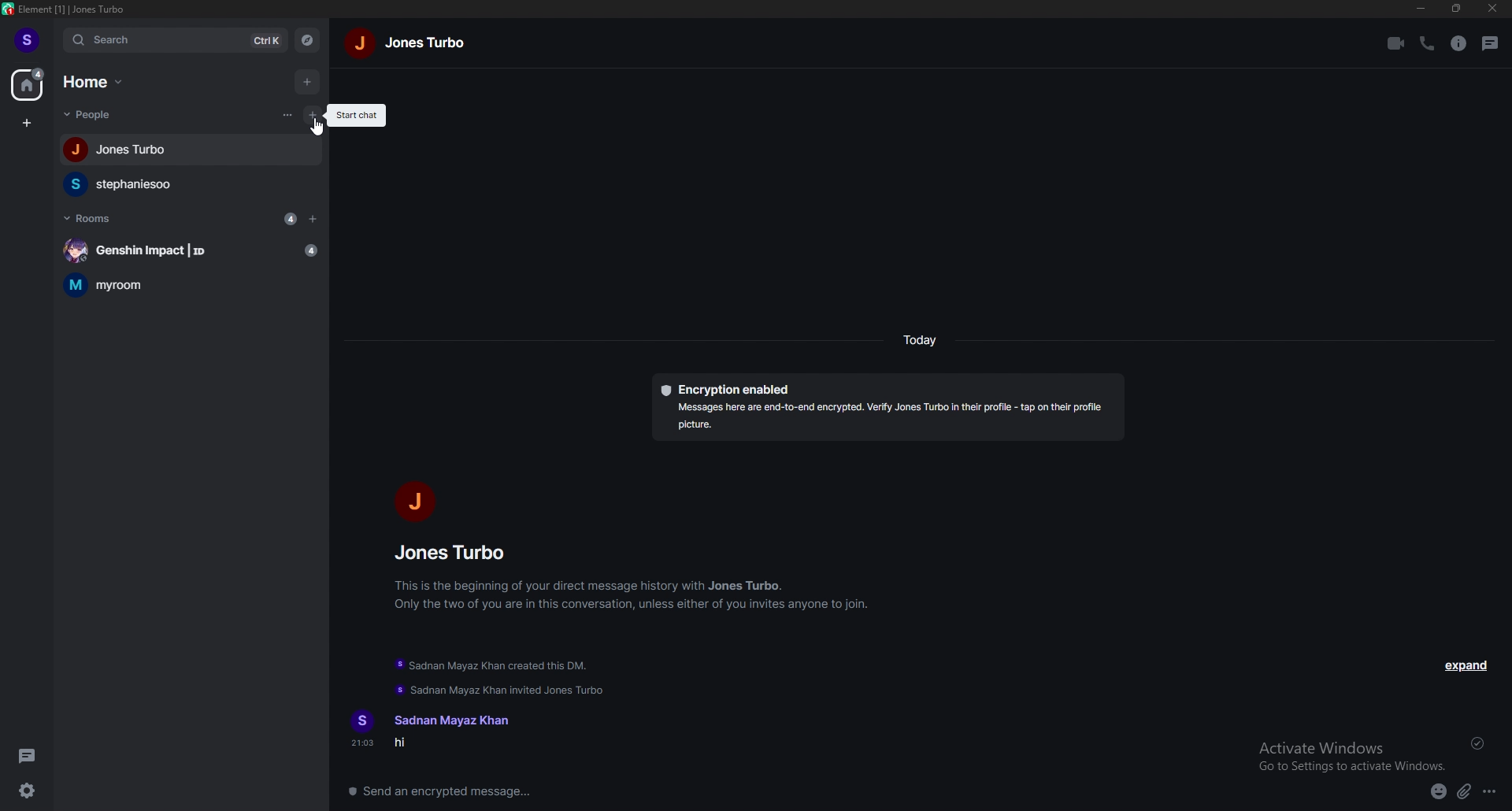 The height and width of the screenshot is (811, 1512). Describe the element at coordinates (627, 595) in the screenshot. I see `This is the beginning of your direct message history with Jones Turbo.  Only the two of you are in this conversation, unless either of you invites anyone to join.` at that location.